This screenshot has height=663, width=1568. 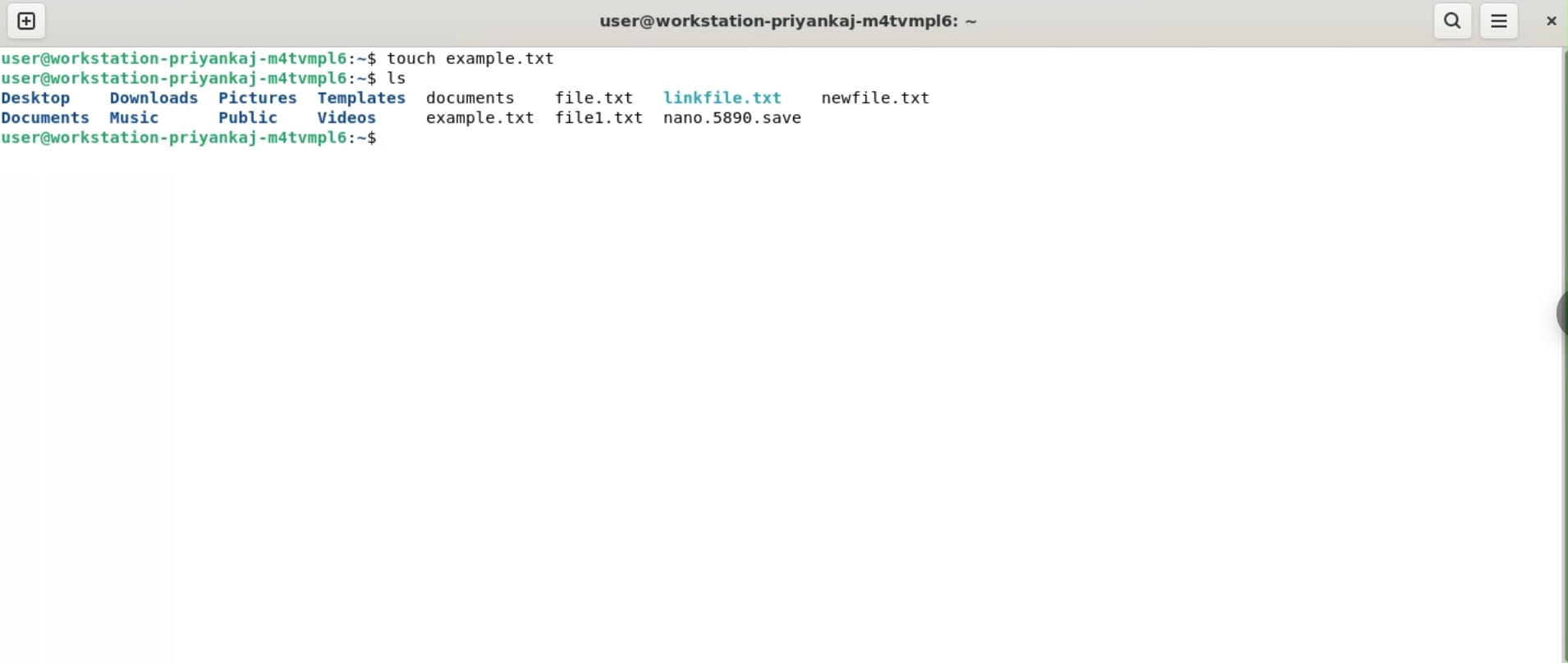 What do you see at coordinates (1501, 22) in the screenshot?
I see `menu` at bounding box center [1501, 22].